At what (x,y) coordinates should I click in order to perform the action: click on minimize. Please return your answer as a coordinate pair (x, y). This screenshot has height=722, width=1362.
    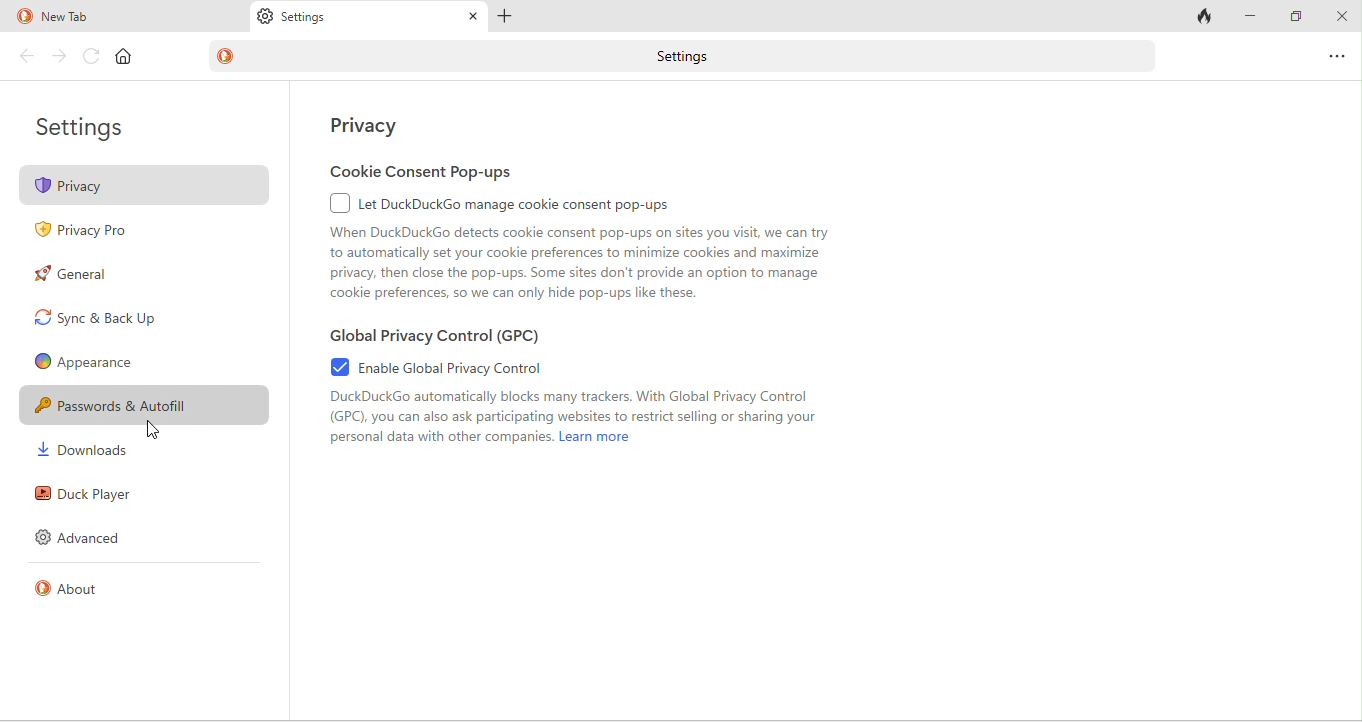
    Looking at the image, I should click on (1253, 17).